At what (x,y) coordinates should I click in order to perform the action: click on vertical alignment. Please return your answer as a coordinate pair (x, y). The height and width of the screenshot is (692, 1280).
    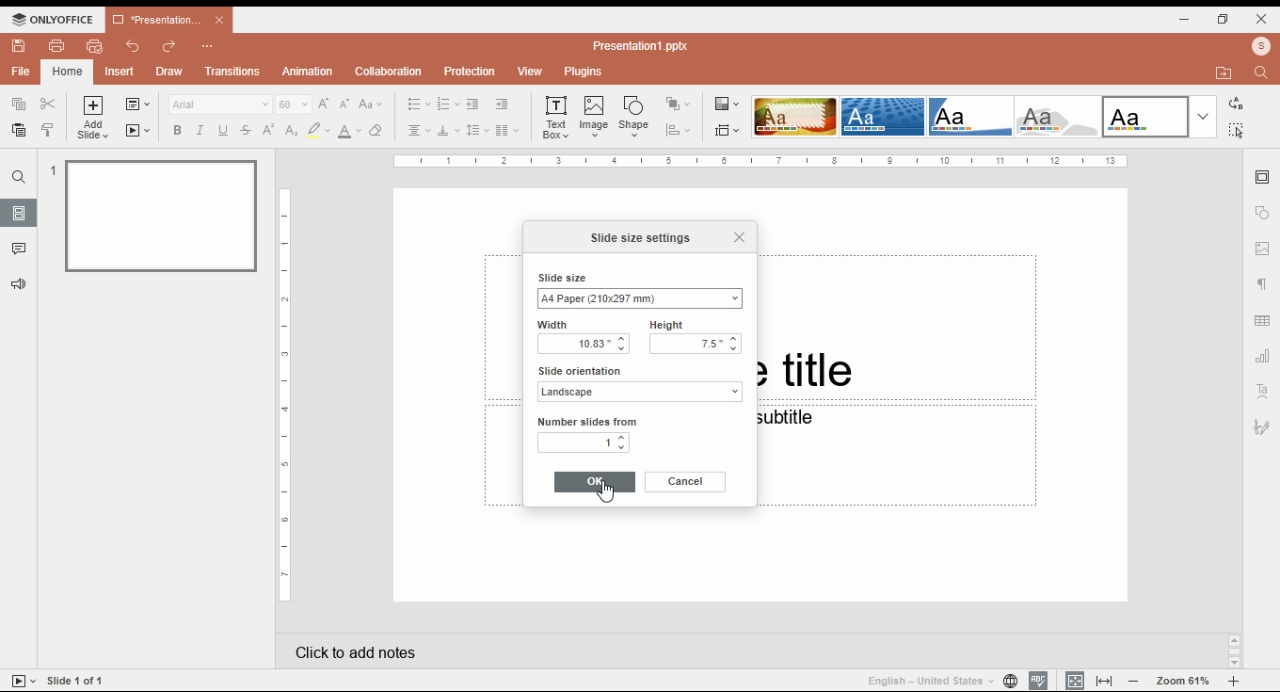
    Looking at the image, I should click on (448, 133).